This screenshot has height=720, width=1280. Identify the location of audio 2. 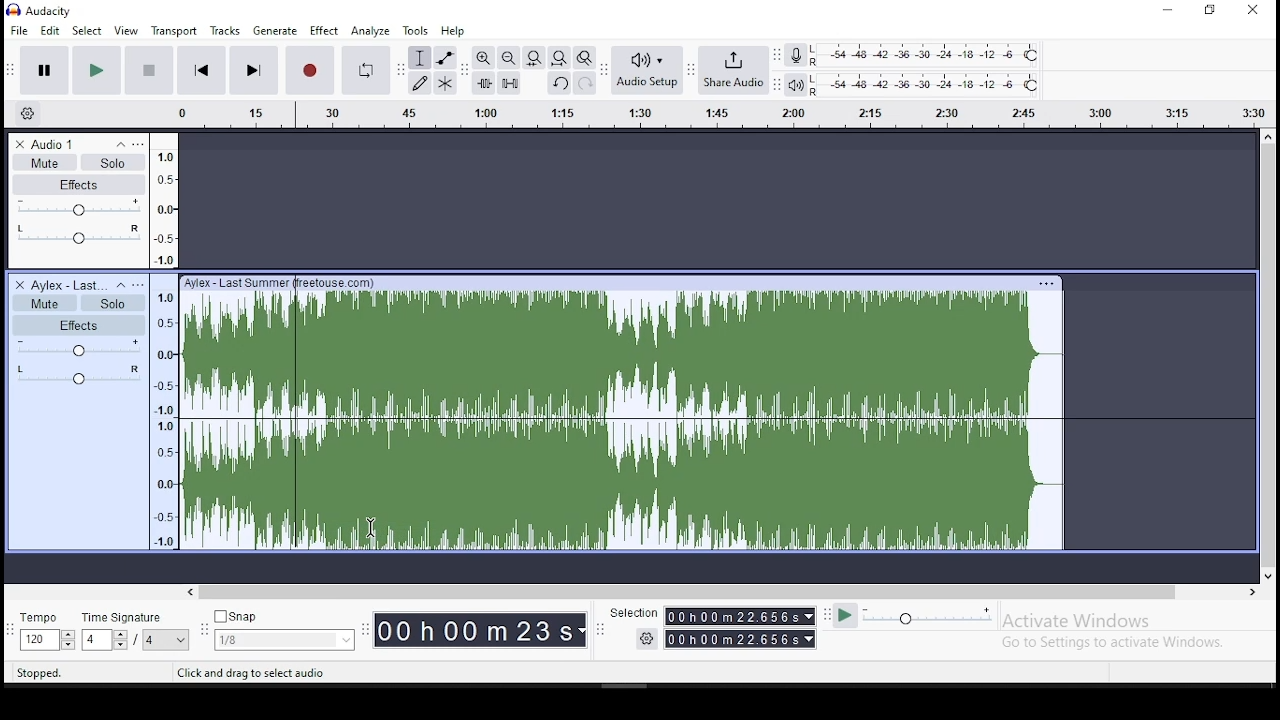
(68, 285).